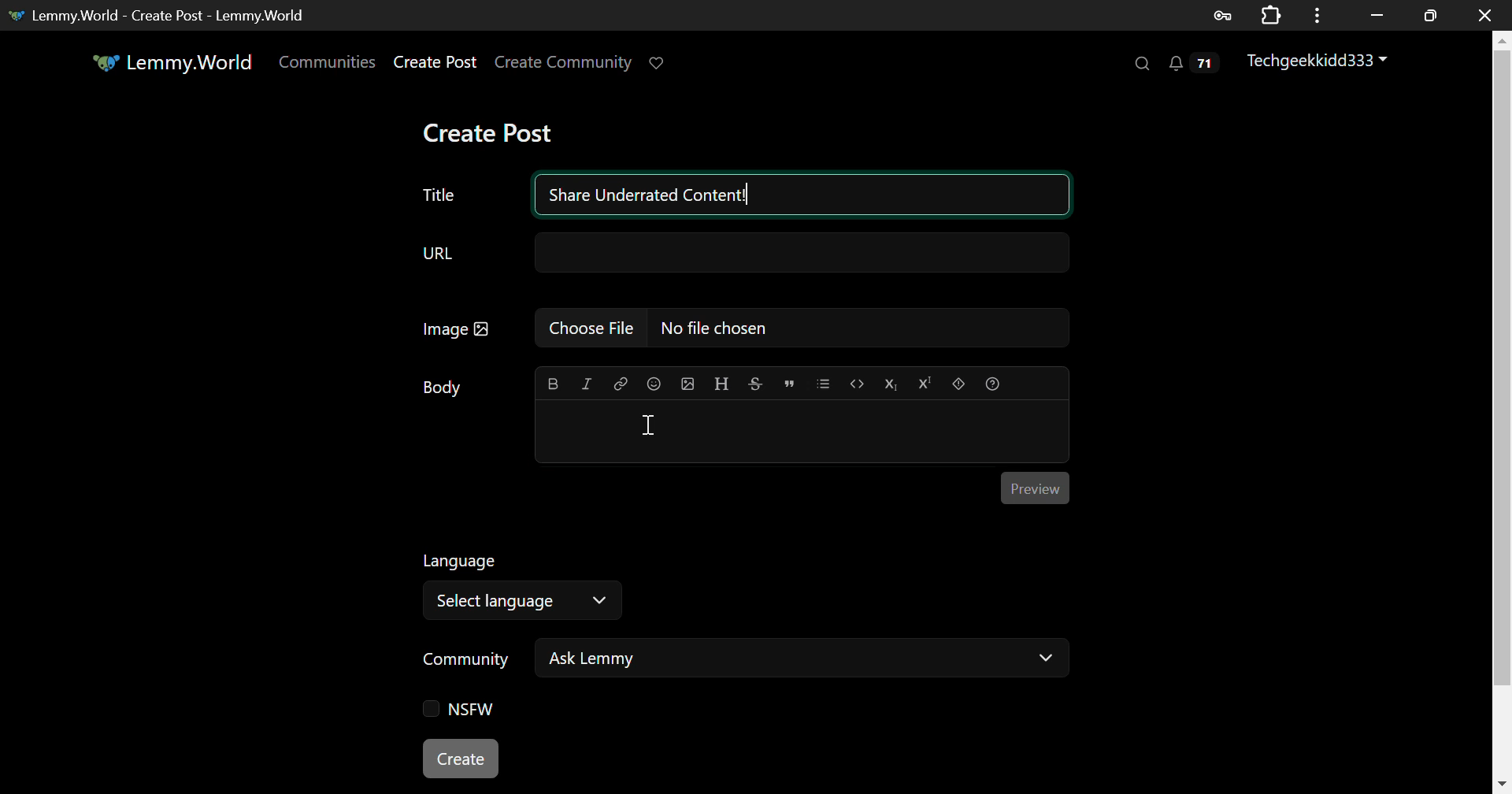  Describe the element at coordinates (1322, 63) in the screenshot. I see `Techgeekkidd333` at that location.